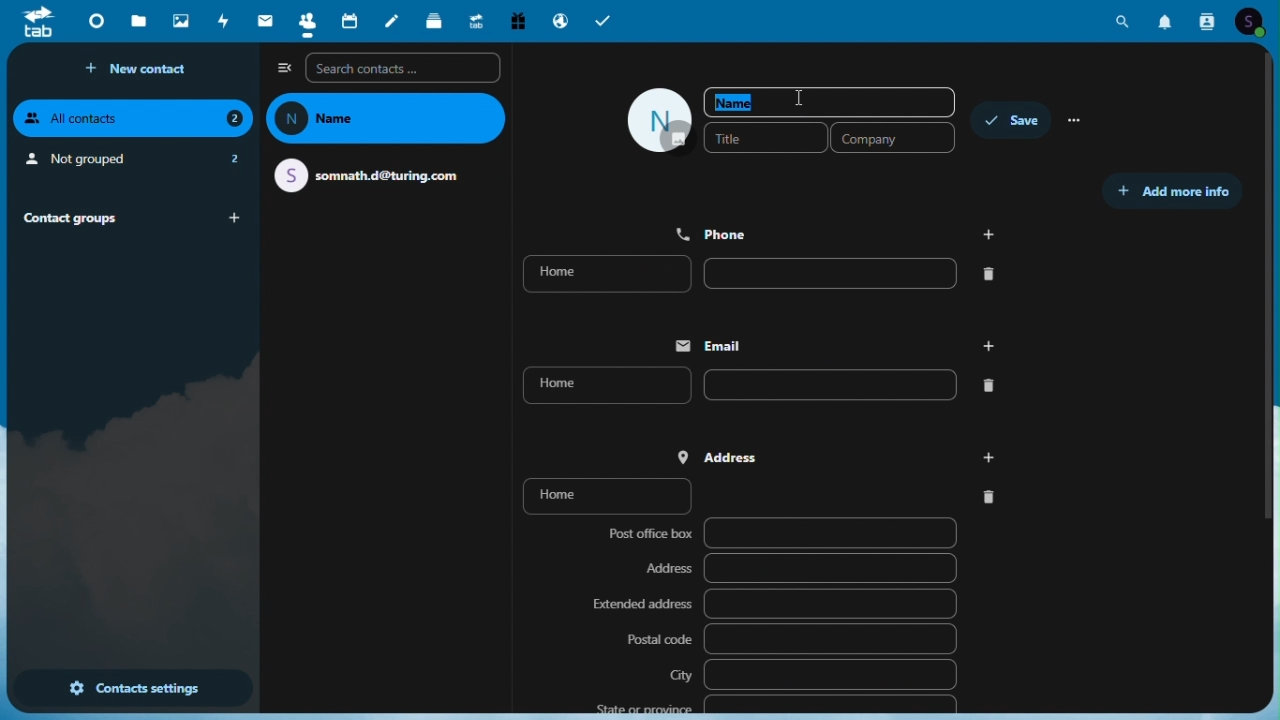 This screenshot has width=1280, height=720. What do you see at coordinates (180, 21) in the screenshot?
I see `Photo` at bounding box center [180, 21].